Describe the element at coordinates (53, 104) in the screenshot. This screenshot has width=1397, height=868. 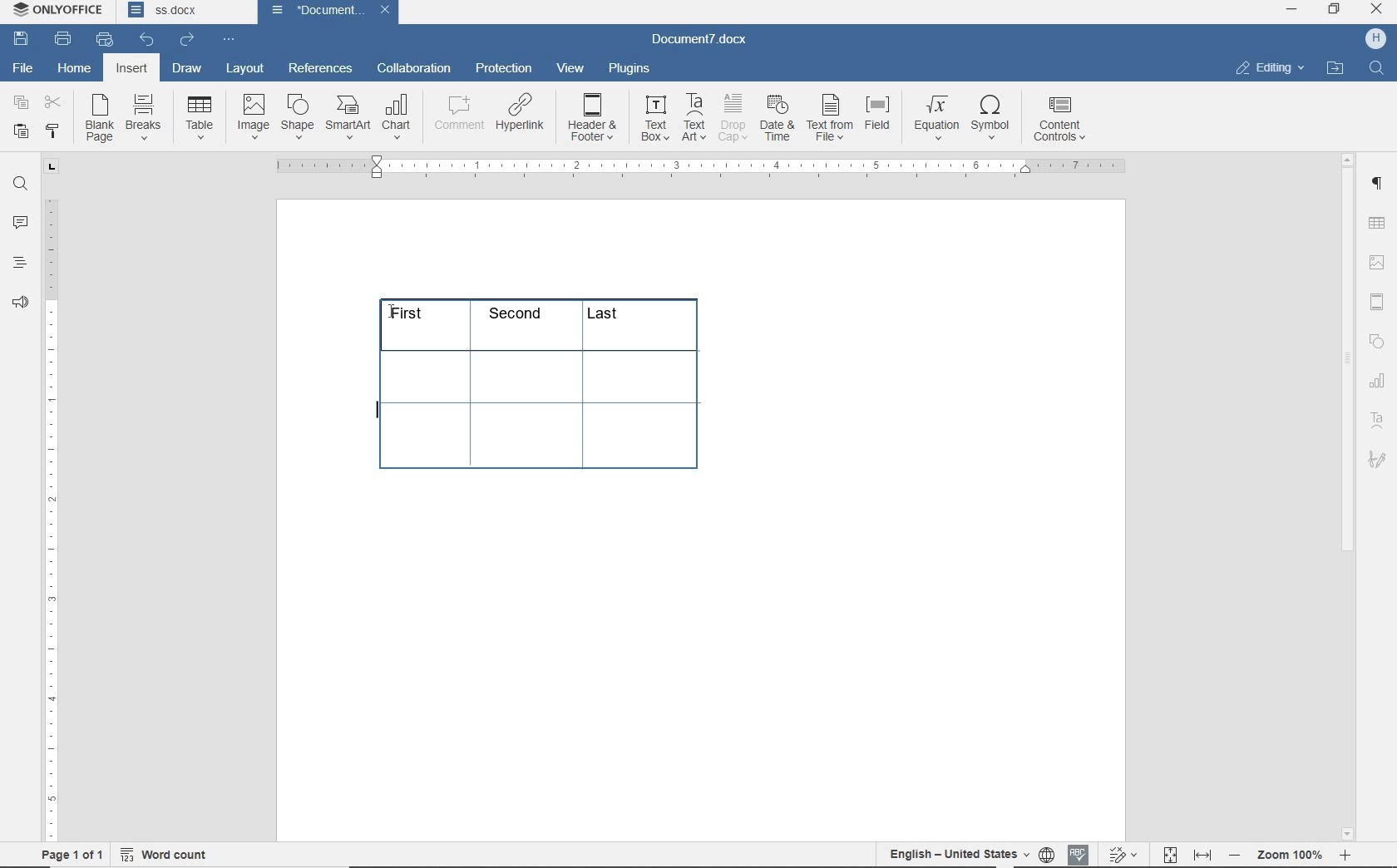
I see `cut` at that location.